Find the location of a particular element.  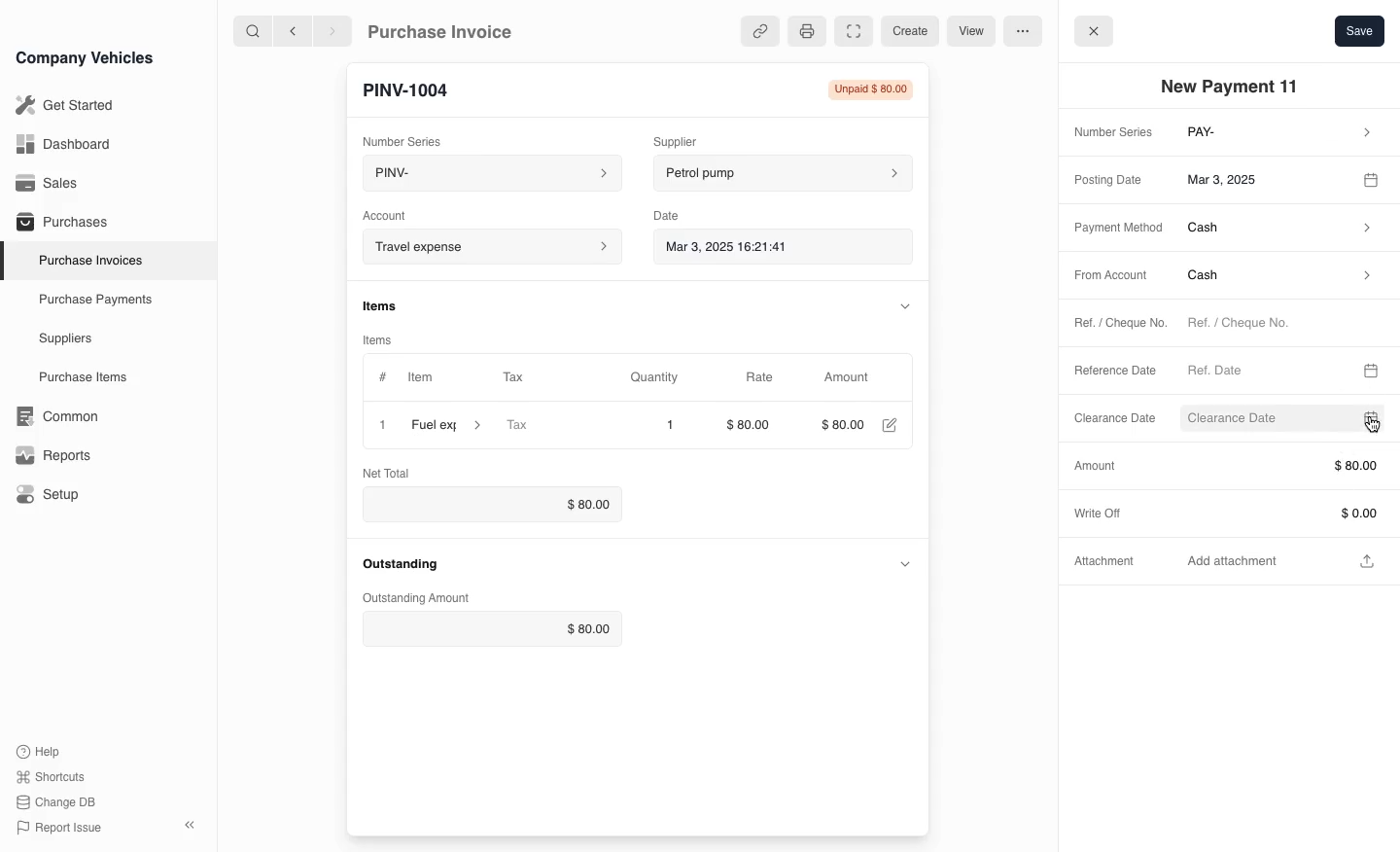

Purchase Invoice is located at coordinates (453, 30).